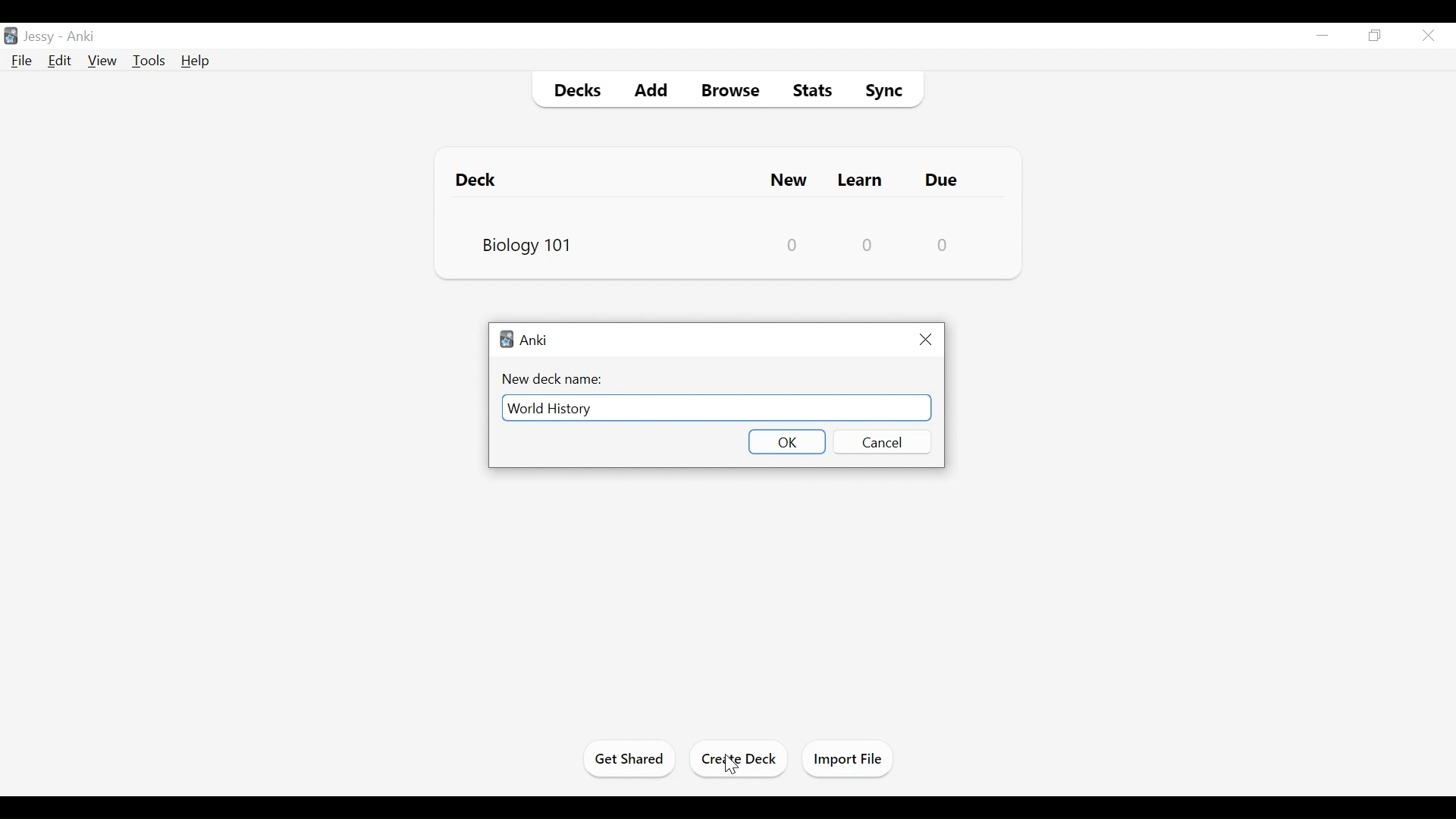 The width and height of the screenshot is (1456, 819). What do you see at coordinates (1428, 36) in the screenshot?
I see `Close` at bounding box center [1428, 36].